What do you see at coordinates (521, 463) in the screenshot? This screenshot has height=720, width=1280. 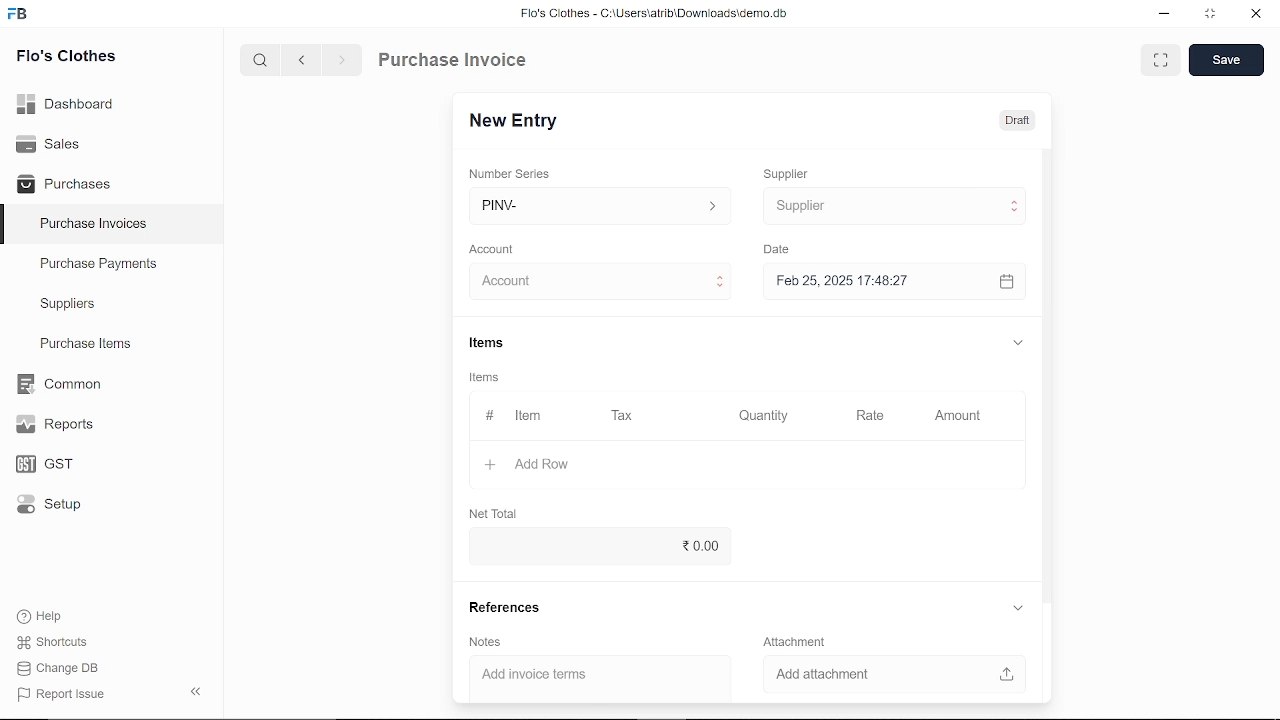 I see `+ Add Row` at bounding box center [521, 463].